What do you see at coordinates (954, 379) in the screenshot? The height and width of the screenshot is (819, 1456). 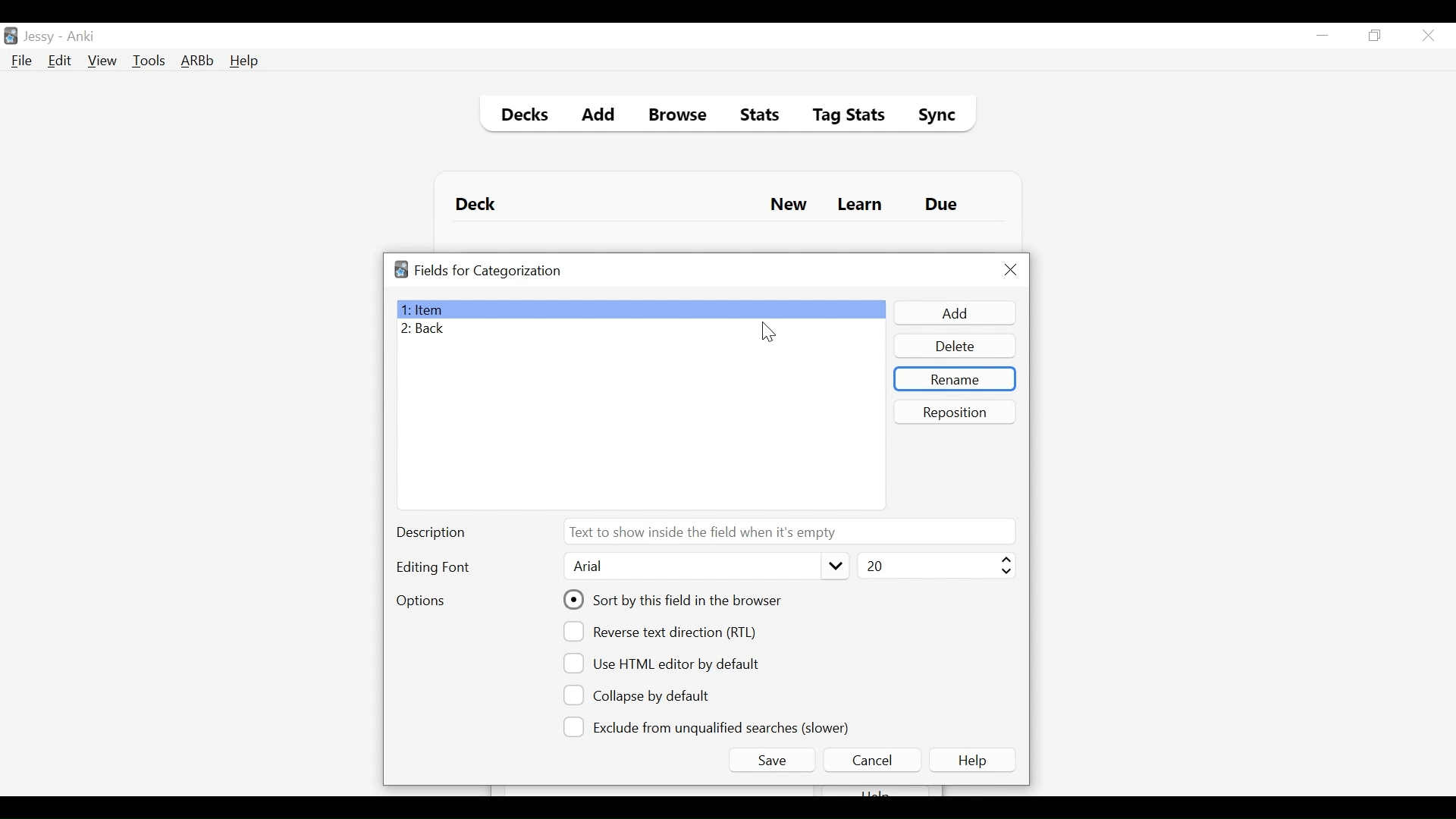 I see `Rename` at bounding box center [954, 379].